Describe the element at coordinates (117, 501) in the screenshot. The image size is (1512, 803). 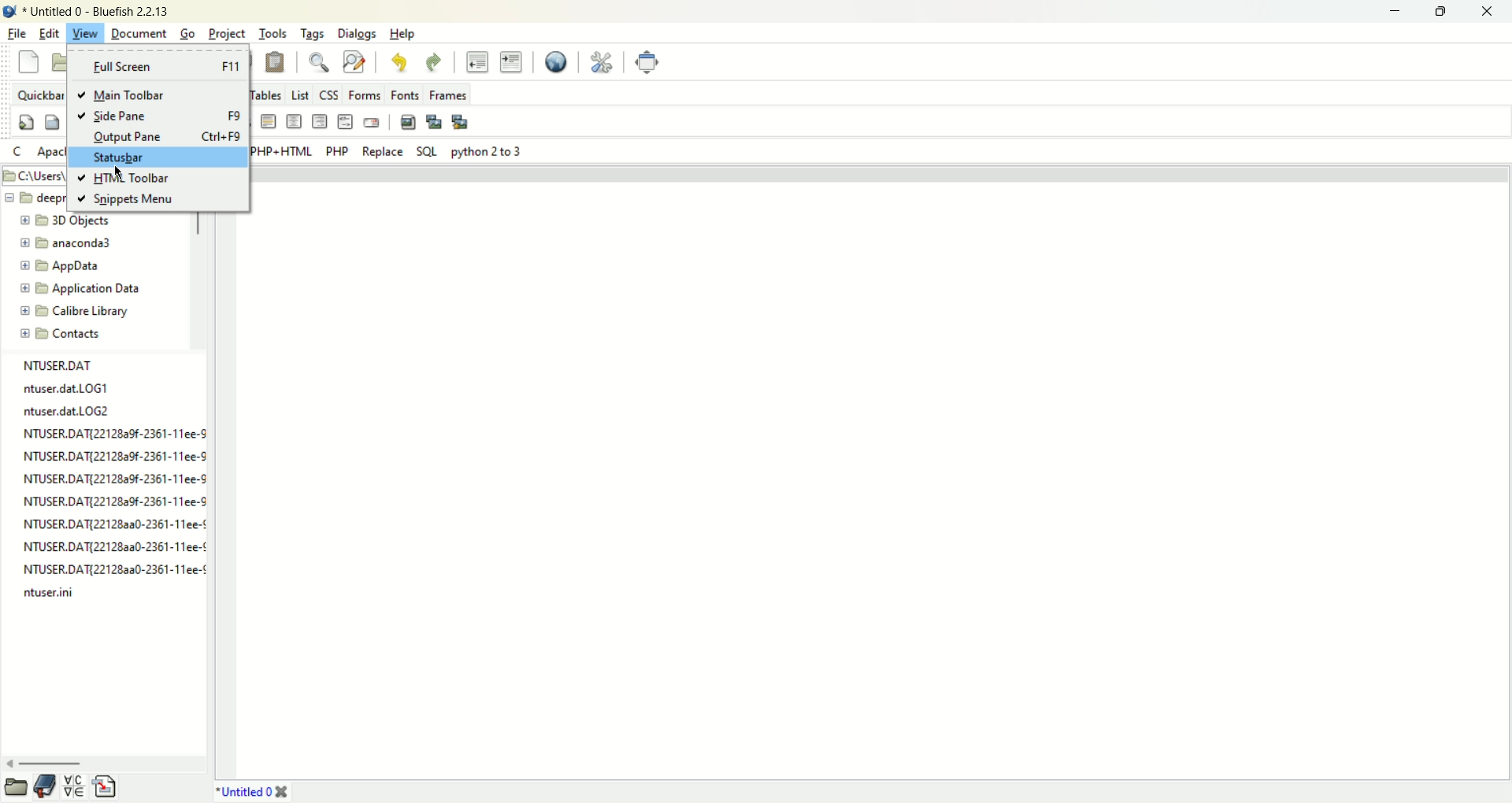
I see `NTUSER.DAT{22128a9f-2361-11ee-S` at that location.